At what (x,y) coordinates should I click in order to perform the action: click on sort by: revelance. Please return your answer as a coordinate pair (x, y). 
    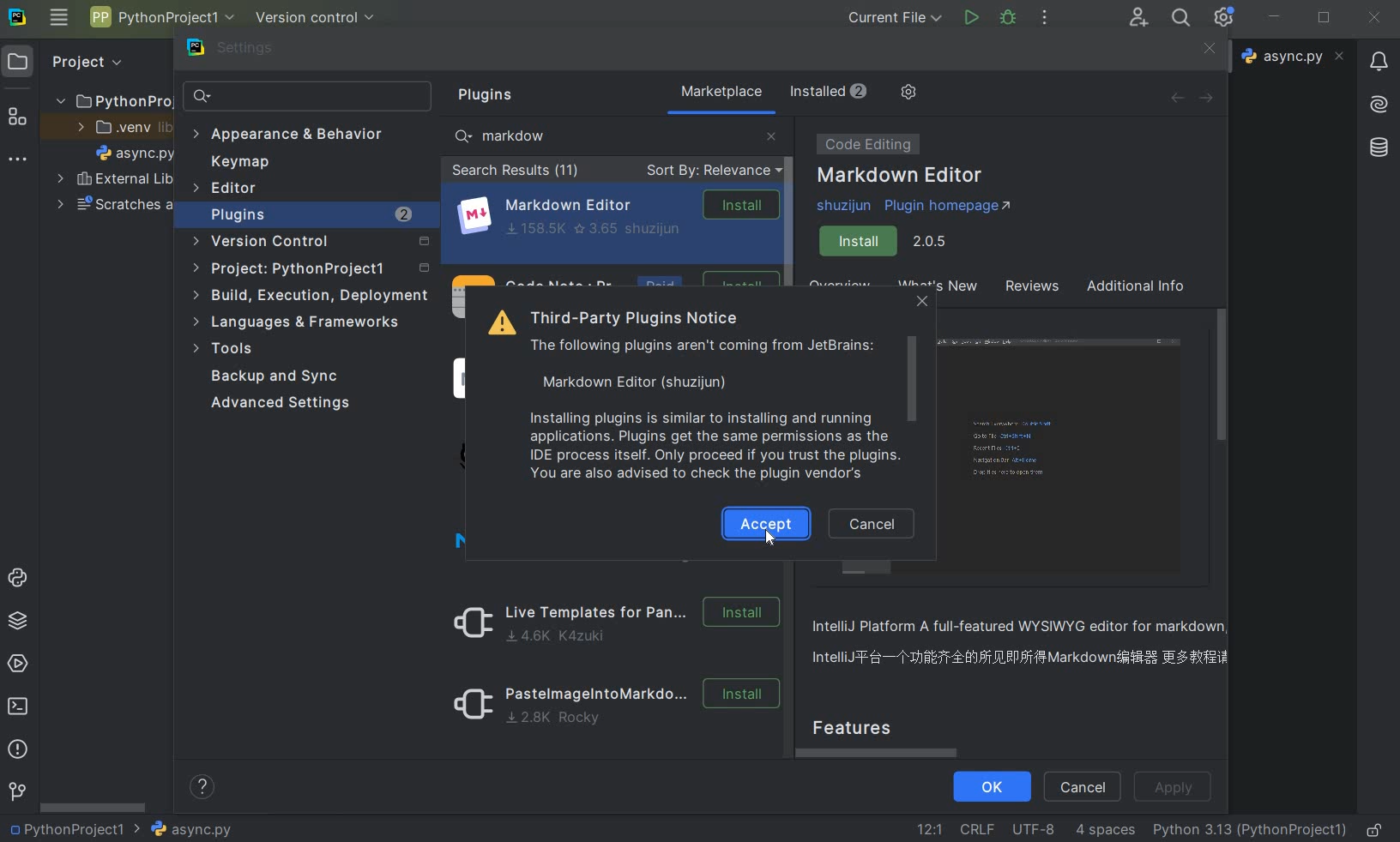
    Looking at the image, I should click on (711, 171).